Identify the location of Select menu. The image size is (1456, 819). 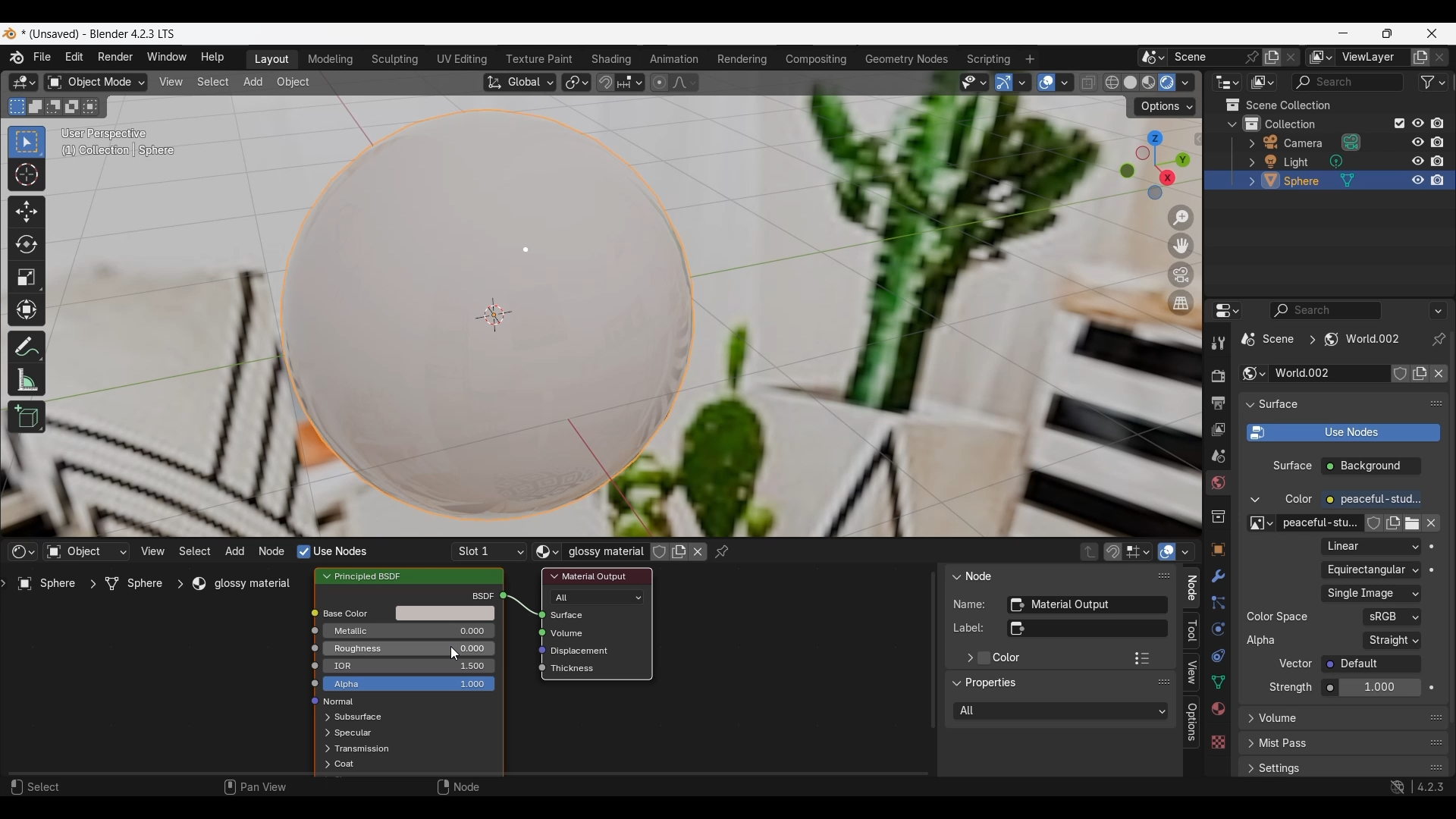
(213, 82).